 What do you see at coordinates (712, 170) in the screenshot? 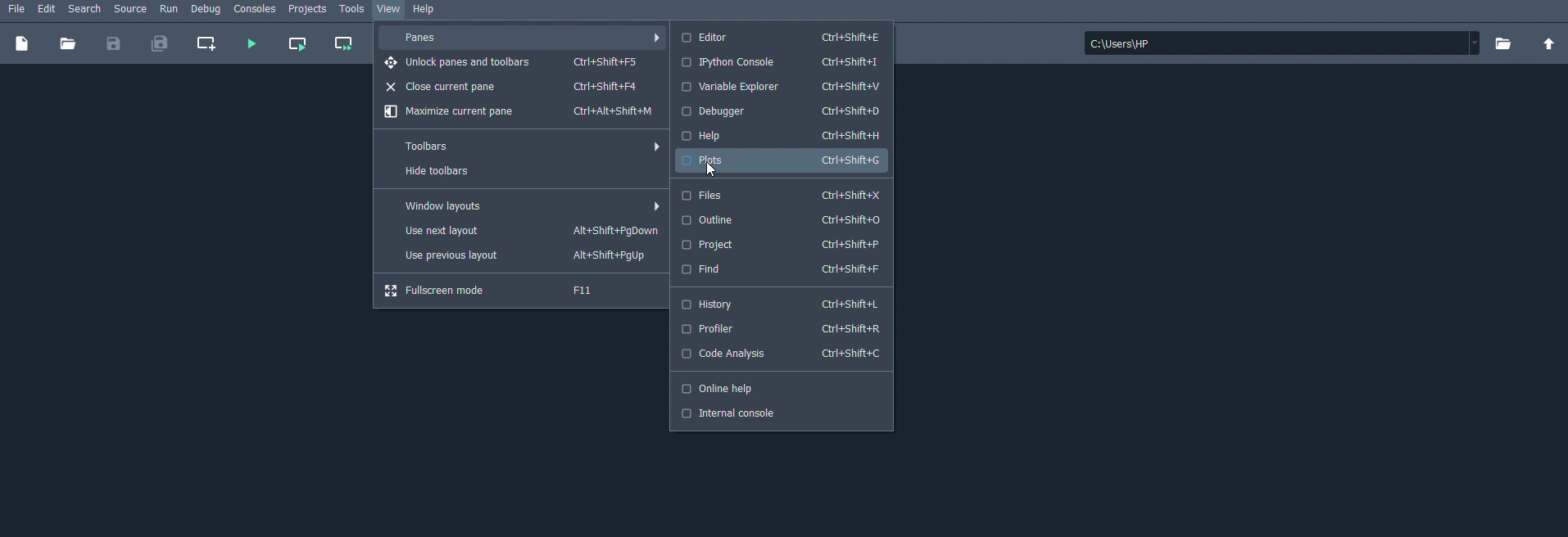
I see `Cursor` at bounding box center [712, 170].